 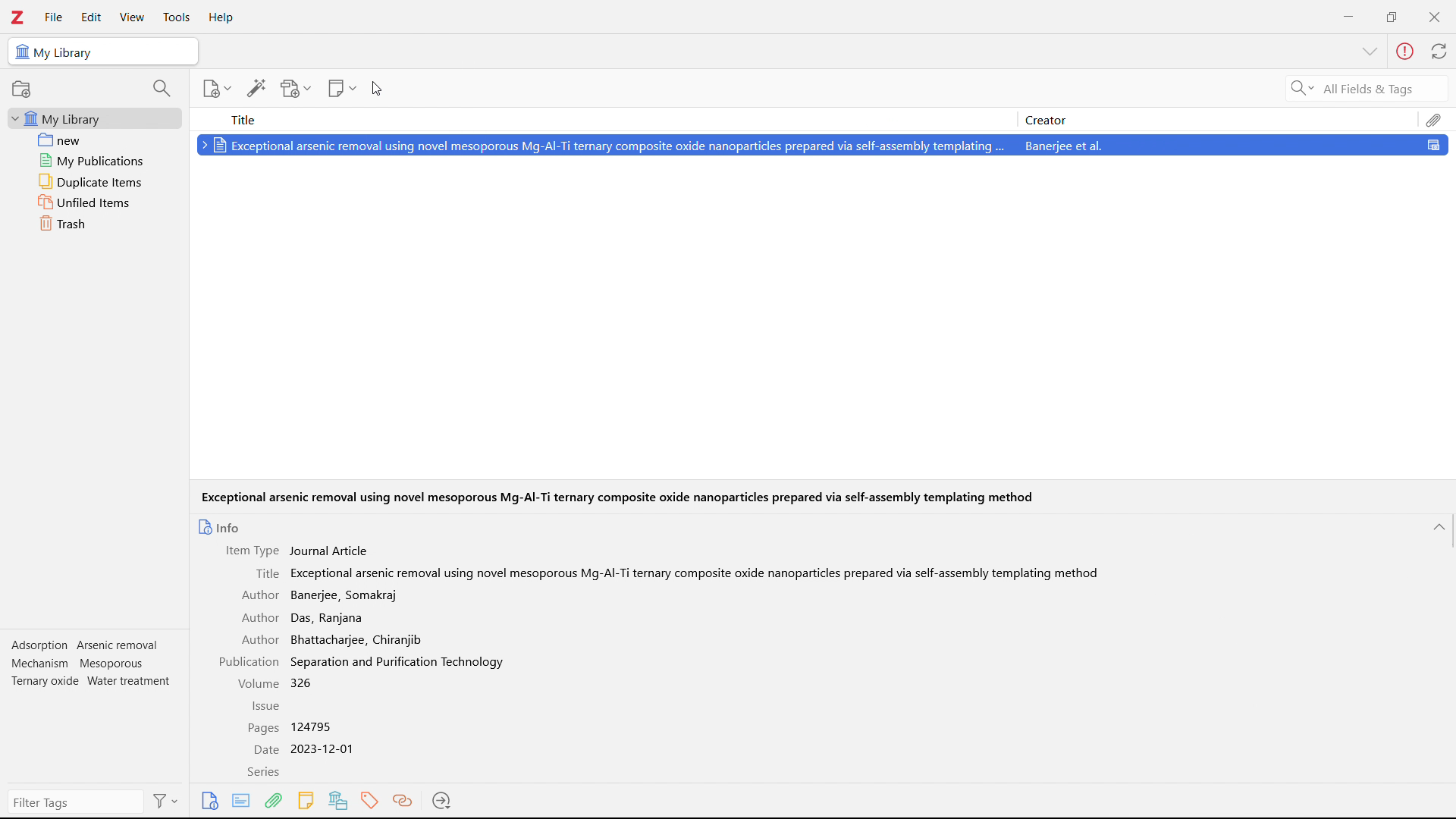 What do you see at coordinates (221, 526) in the screenshot?
I see `info` at bounding box center [221, 526].